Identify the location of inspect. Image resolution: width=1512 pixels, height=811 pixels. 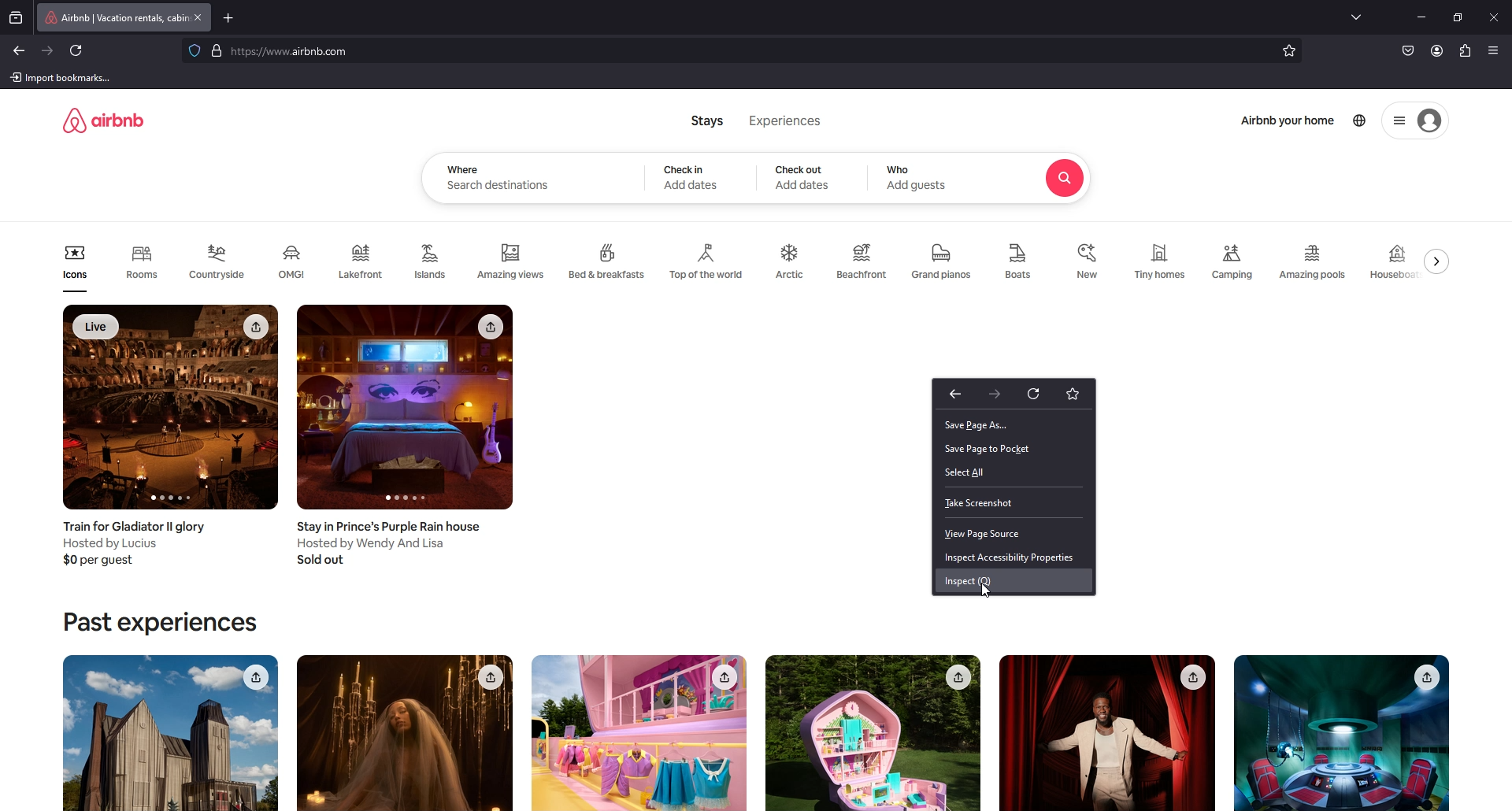
(1014, 581).